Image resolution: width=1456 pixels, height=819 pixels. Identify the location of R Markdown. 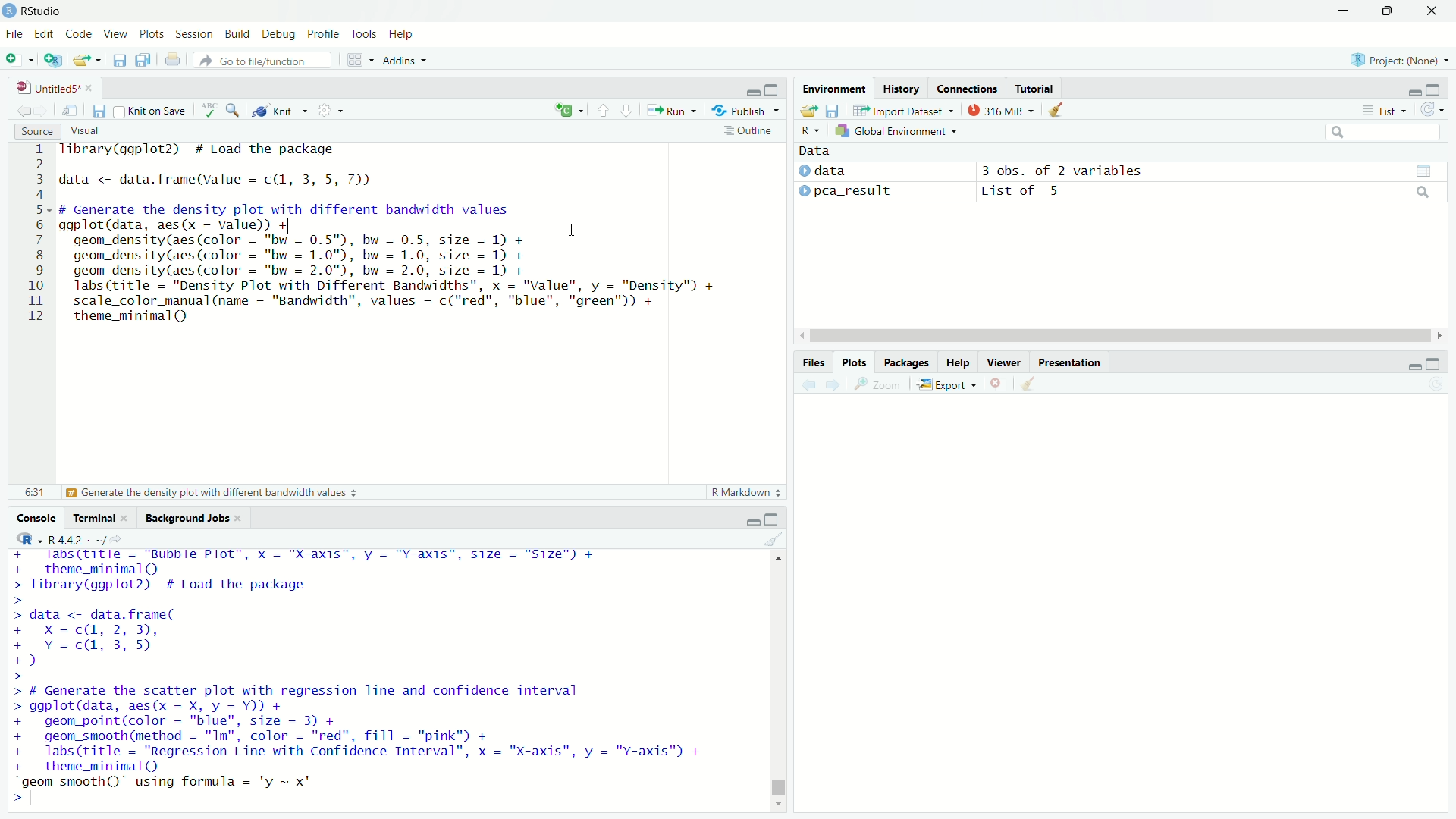
(748, 492).